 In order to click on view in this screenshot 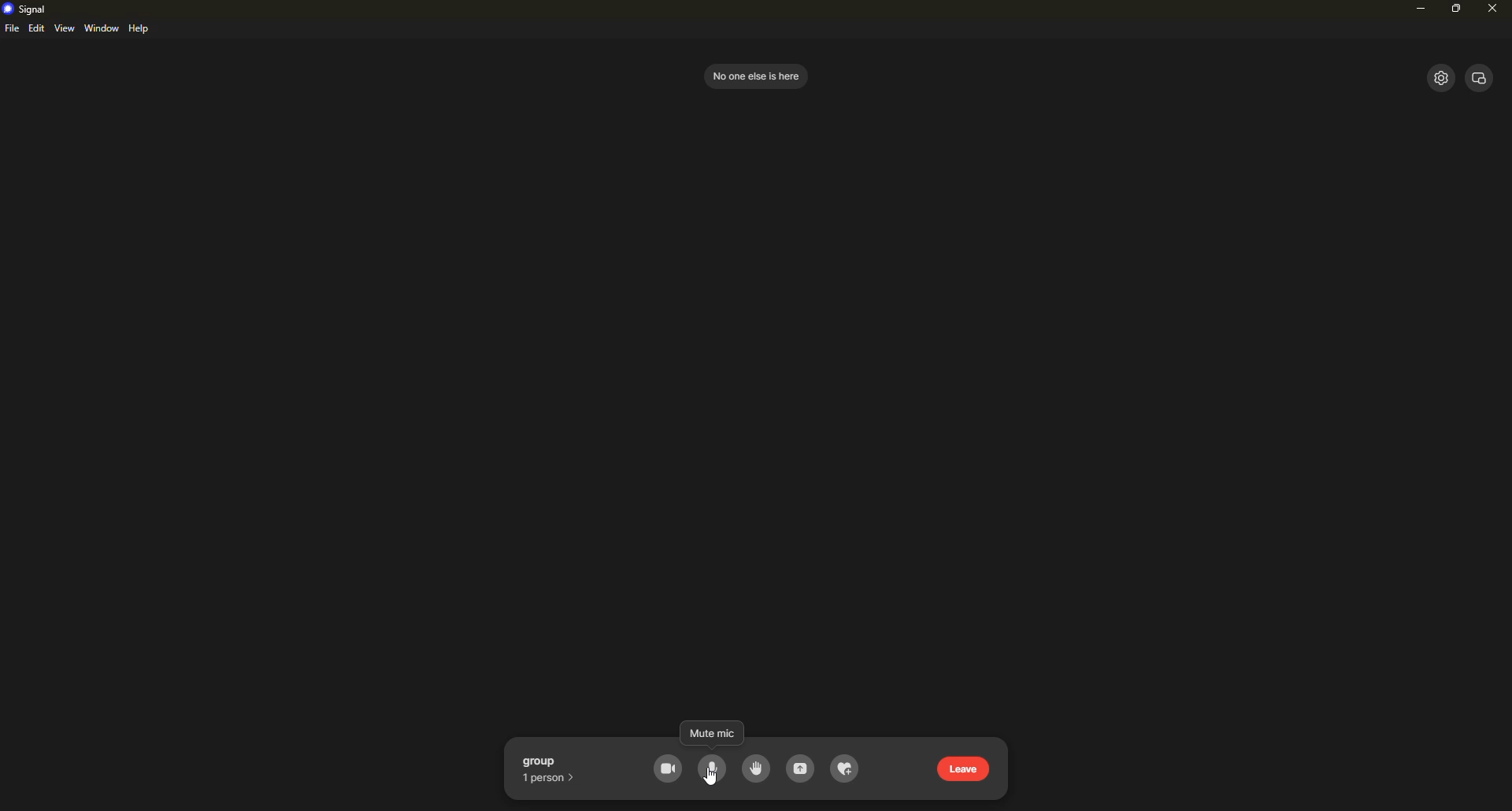, I will do `click(65, 28)`.